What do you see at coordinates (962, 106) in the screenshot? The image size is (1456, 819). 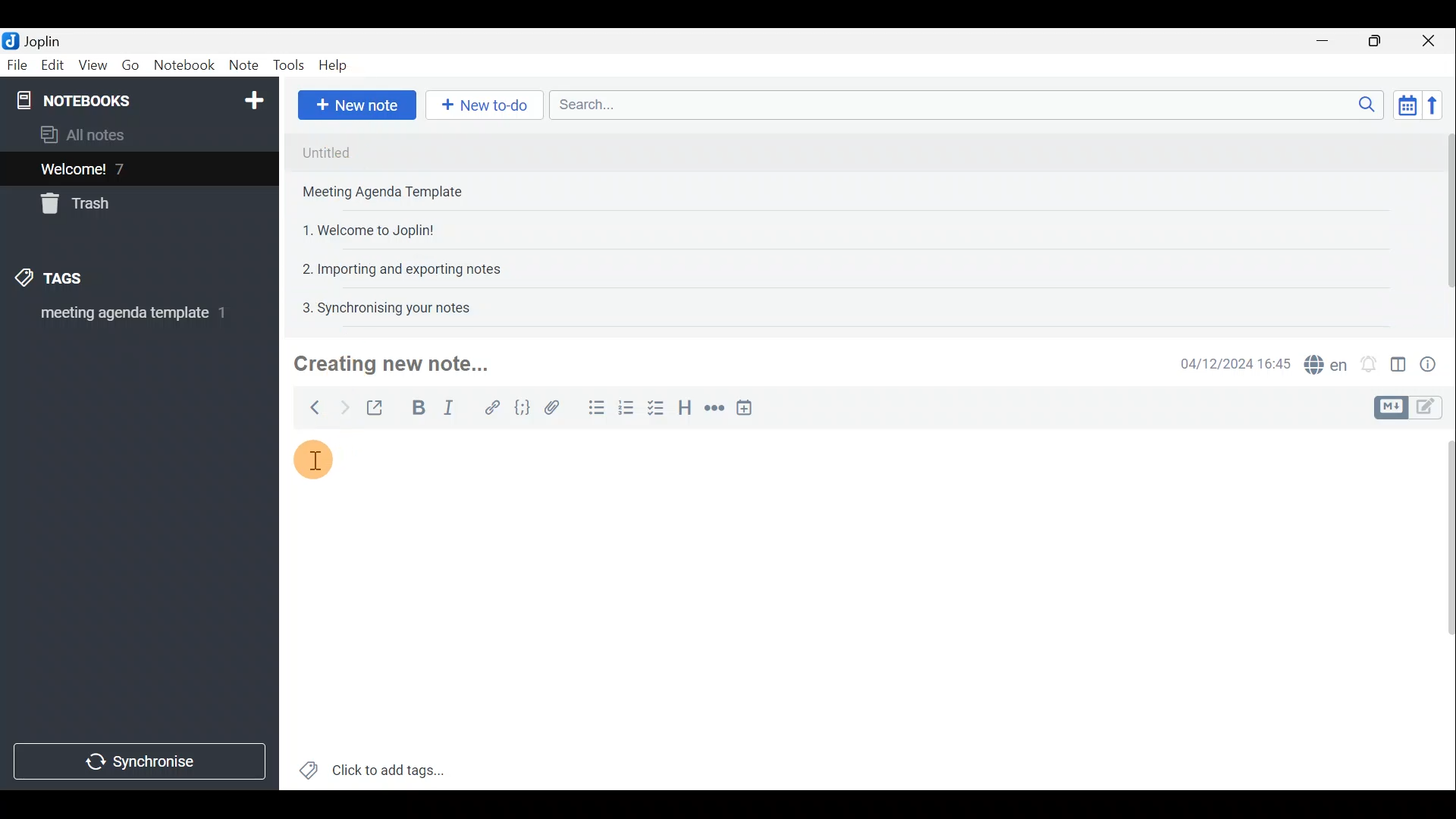 I see `Search bar` at bounding box center [962, 106].